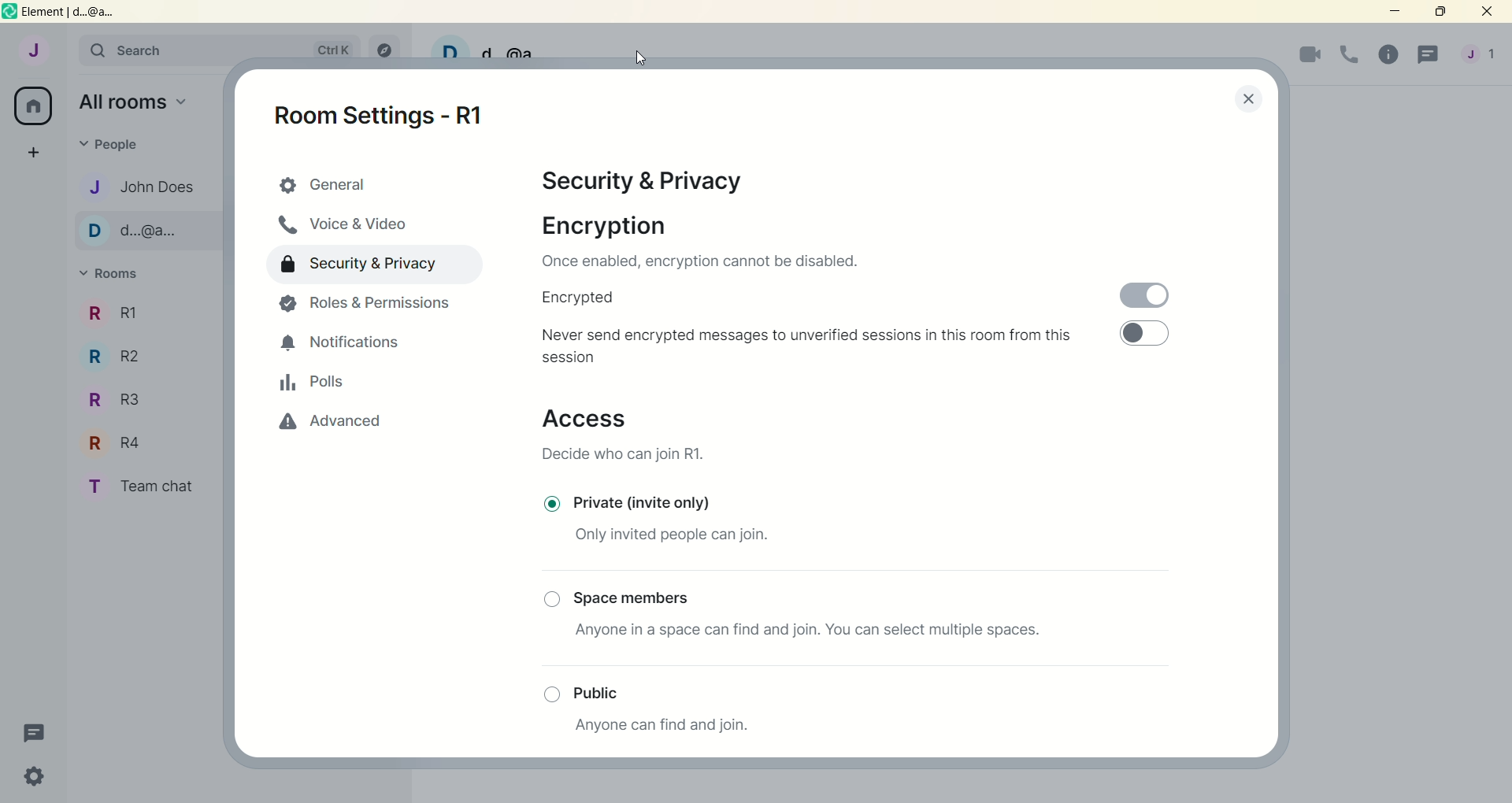  Describe the element at coordinates (126, 404) in the screenshot. I see `R R3` at that location.